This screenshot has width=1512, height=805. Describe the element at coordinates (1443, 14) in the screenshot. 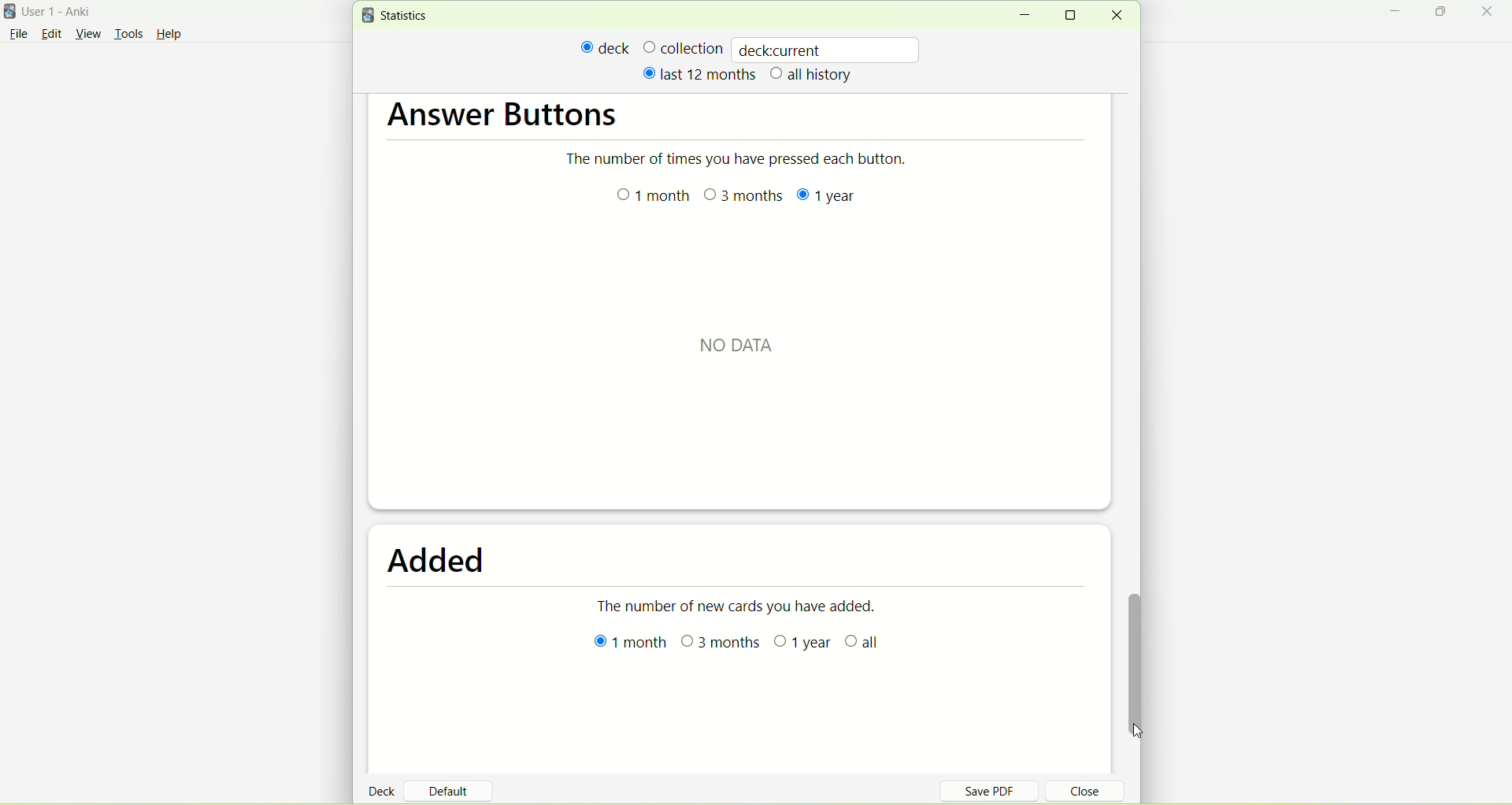

I see `maximize` at that location.